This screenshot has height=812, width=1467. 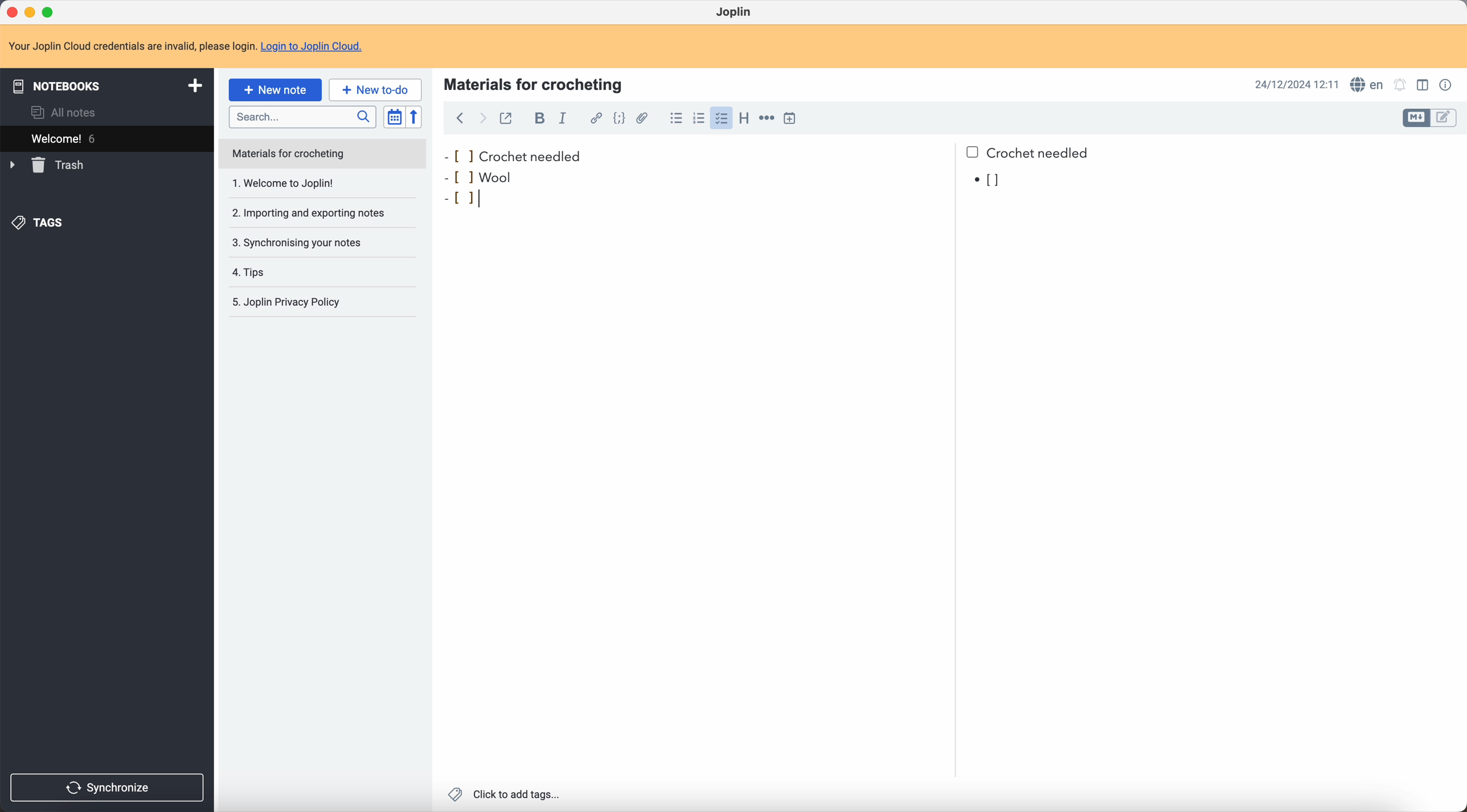 I want to click on importing and exporting notes, so click(x=315, y=212).